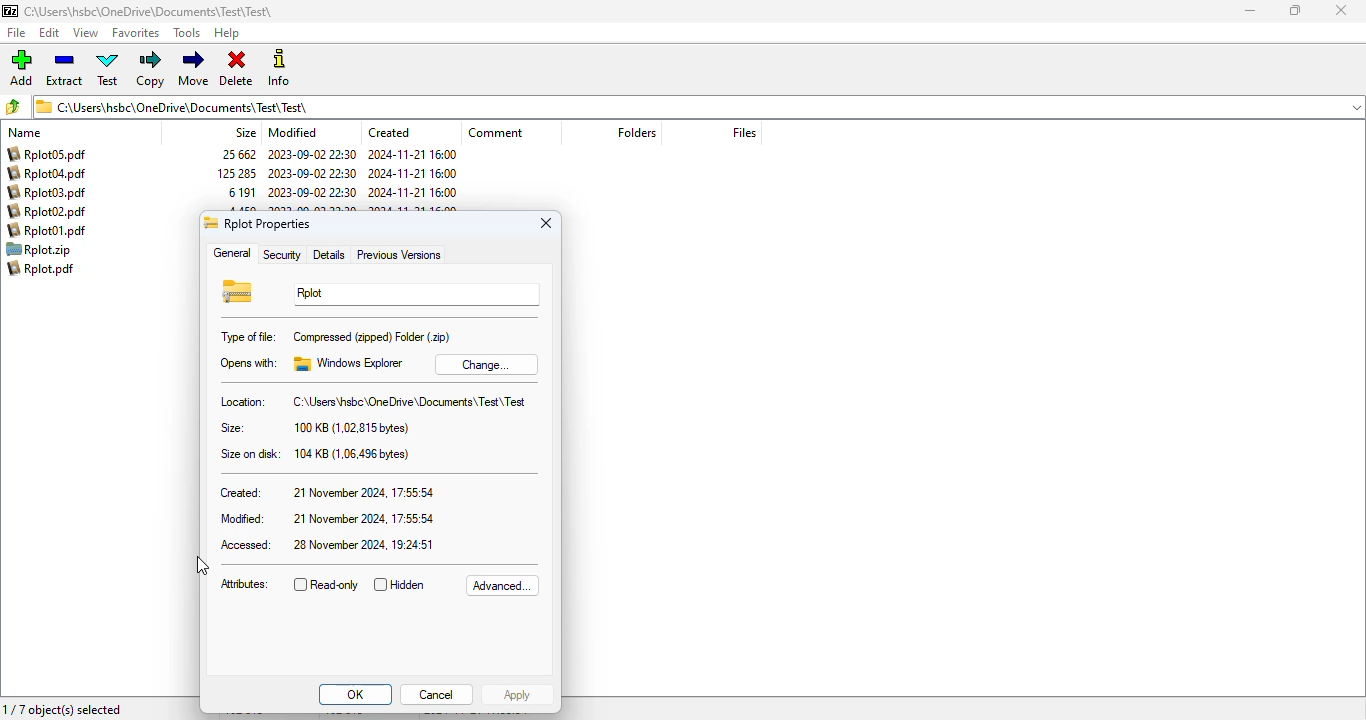 This screenshot has width=1366, height=720. What do you see at coordinates (21, 67) in the screenshot?
I see `add` at bounding box center [21, 67].